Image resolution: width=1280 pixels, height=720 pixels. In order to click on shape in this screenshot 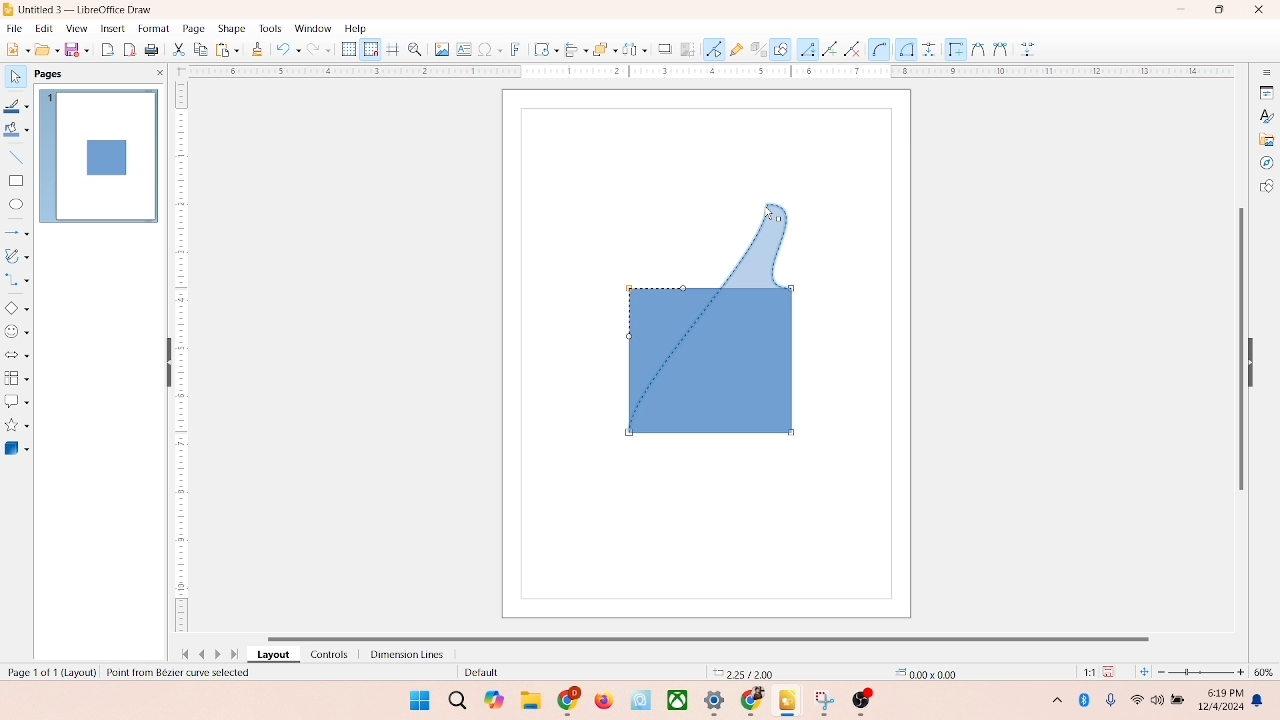, I will do `click(231, 28)`.